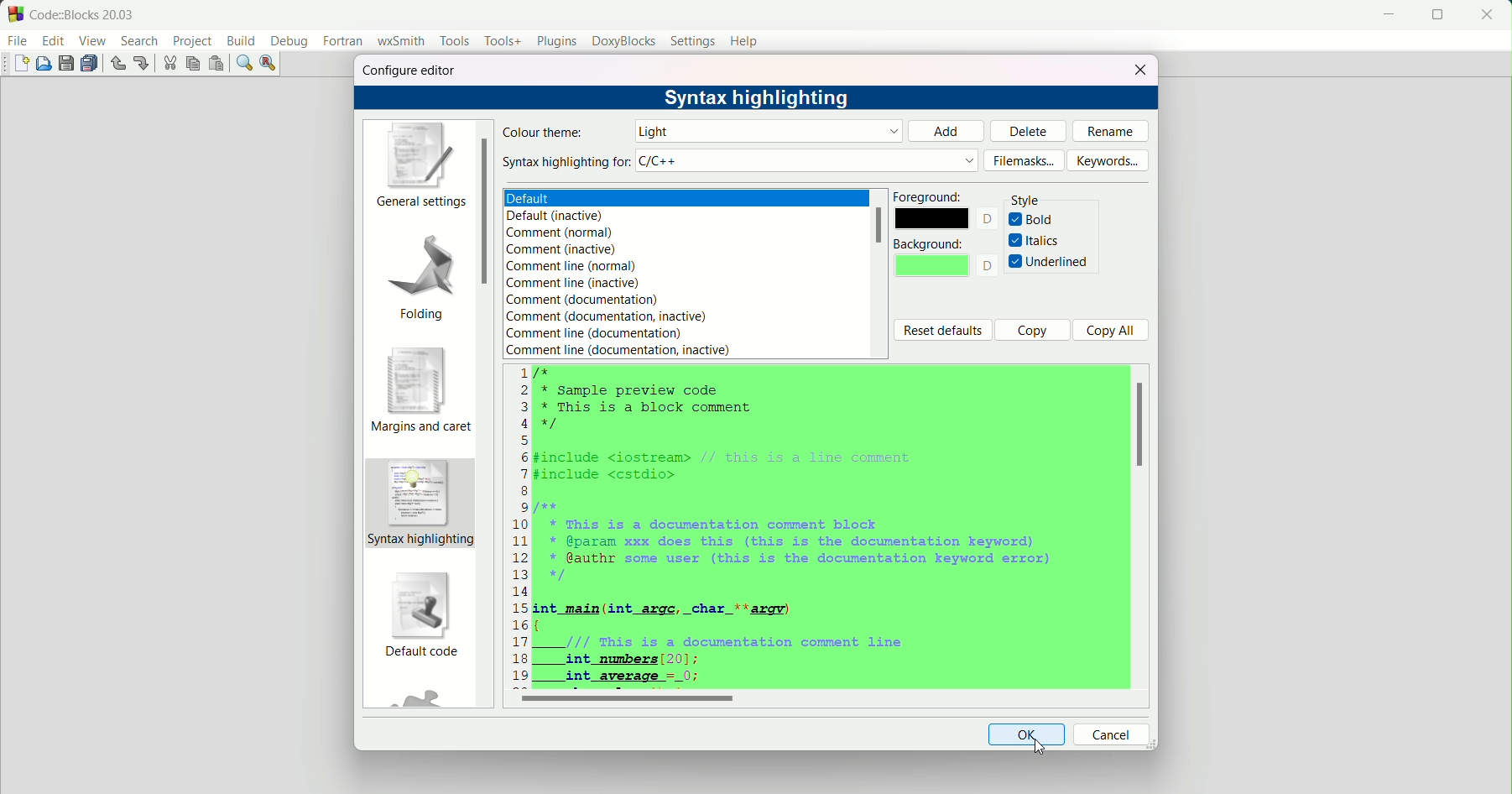 The height and width of the screenshot is (794, 1512). I want to click on search, so click(138, 41).